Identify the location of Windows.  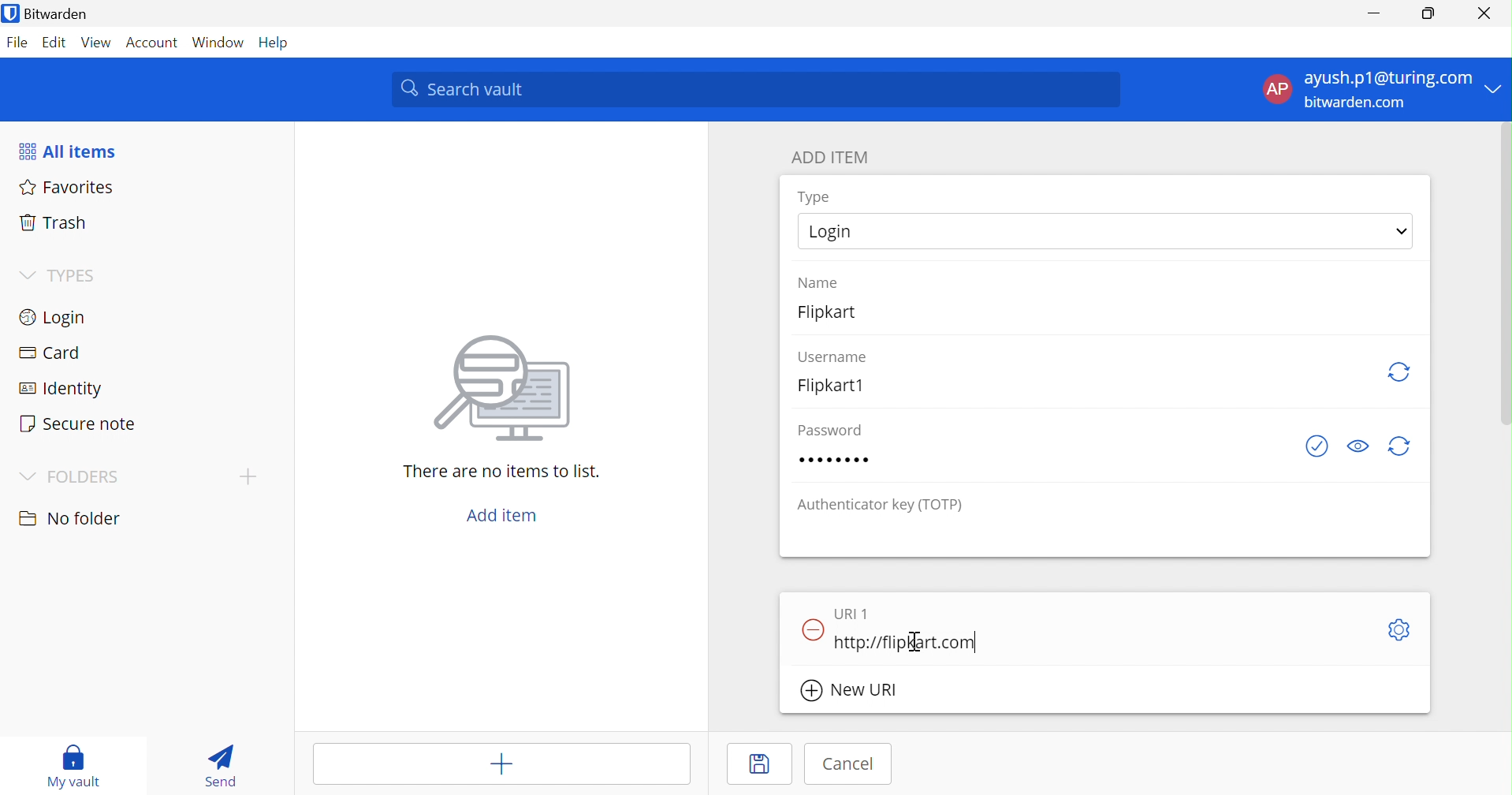
(220, 43).